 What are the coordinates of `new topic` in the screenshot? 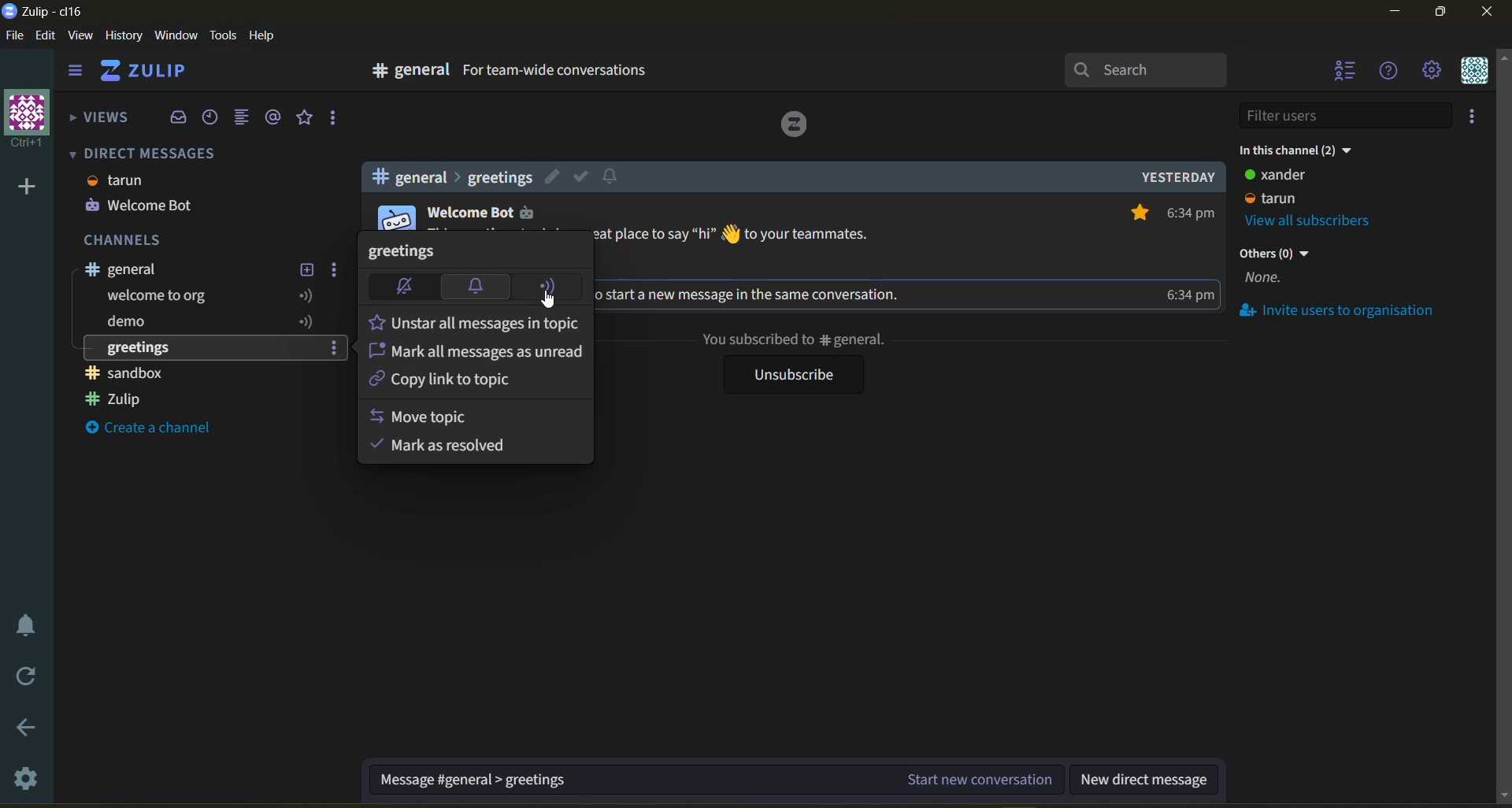 It's located at (306, 270).